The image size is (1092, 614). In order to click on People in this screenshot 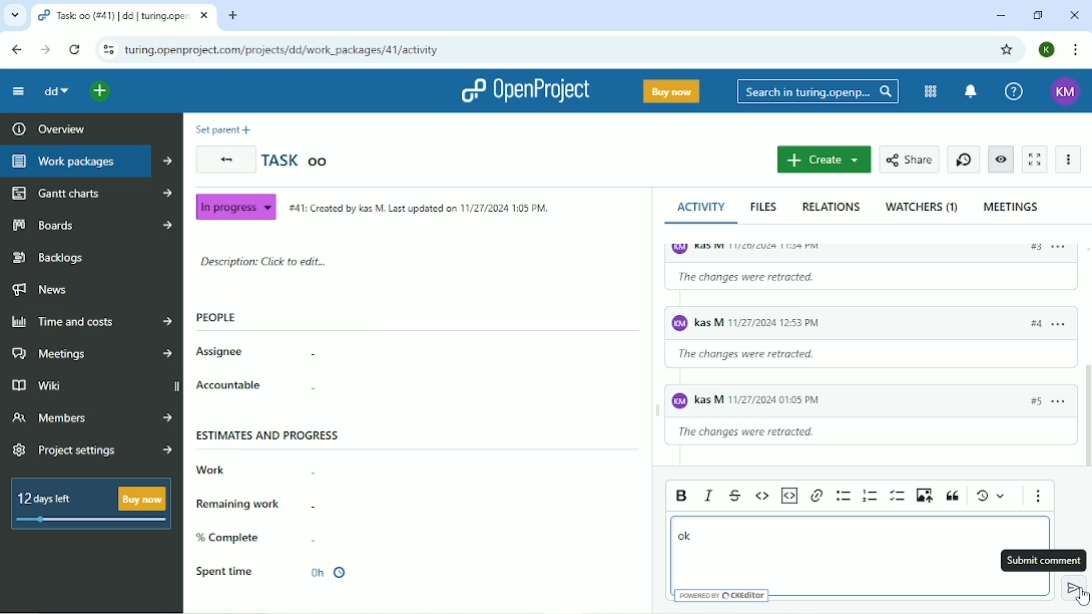, I will do `click(216, 317)`.